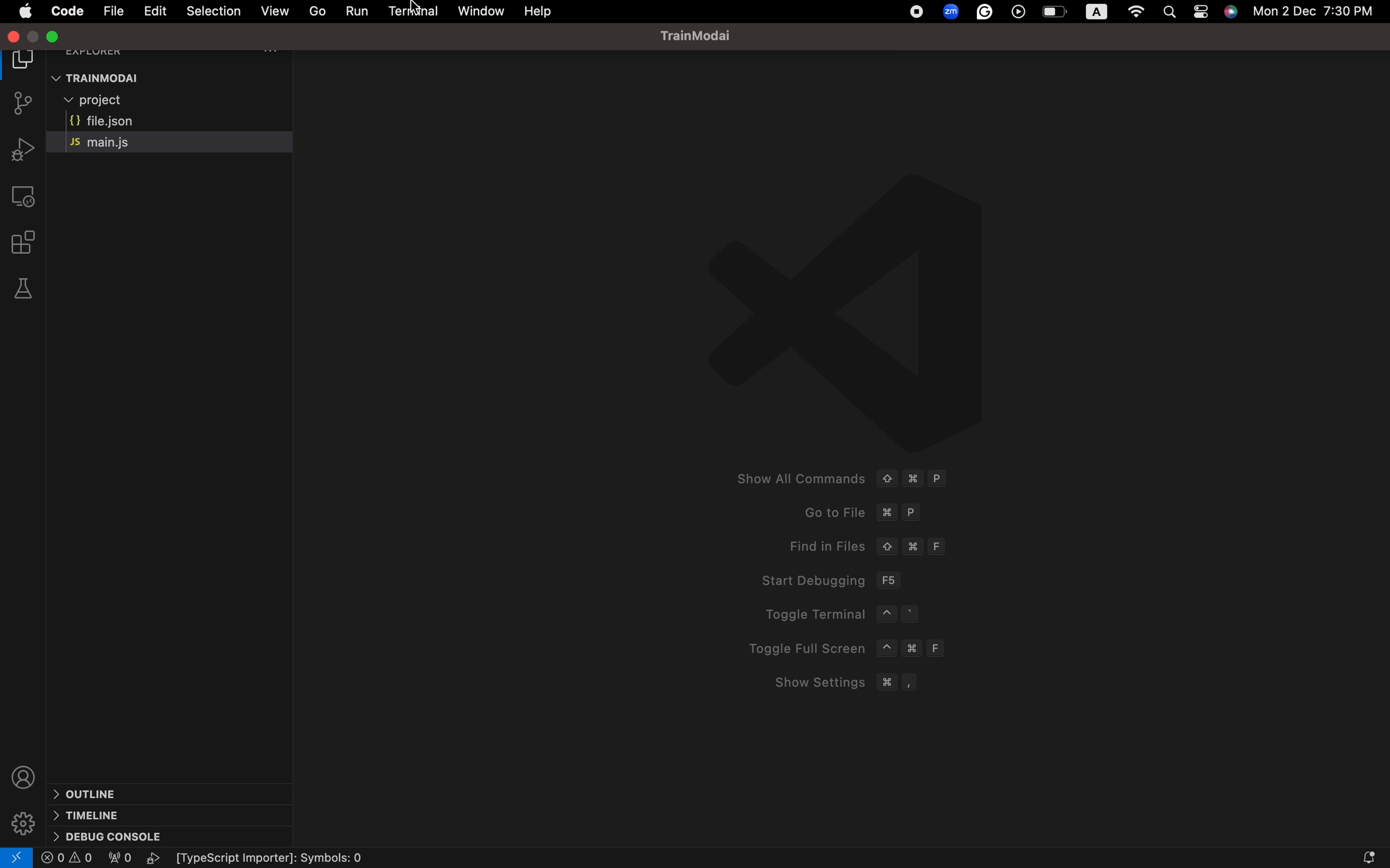 The height and width of the screenshot is (868, 1390). Describe the element at coordinates (177, 77) in the screenshot. I see `Trainmodai` at that location.